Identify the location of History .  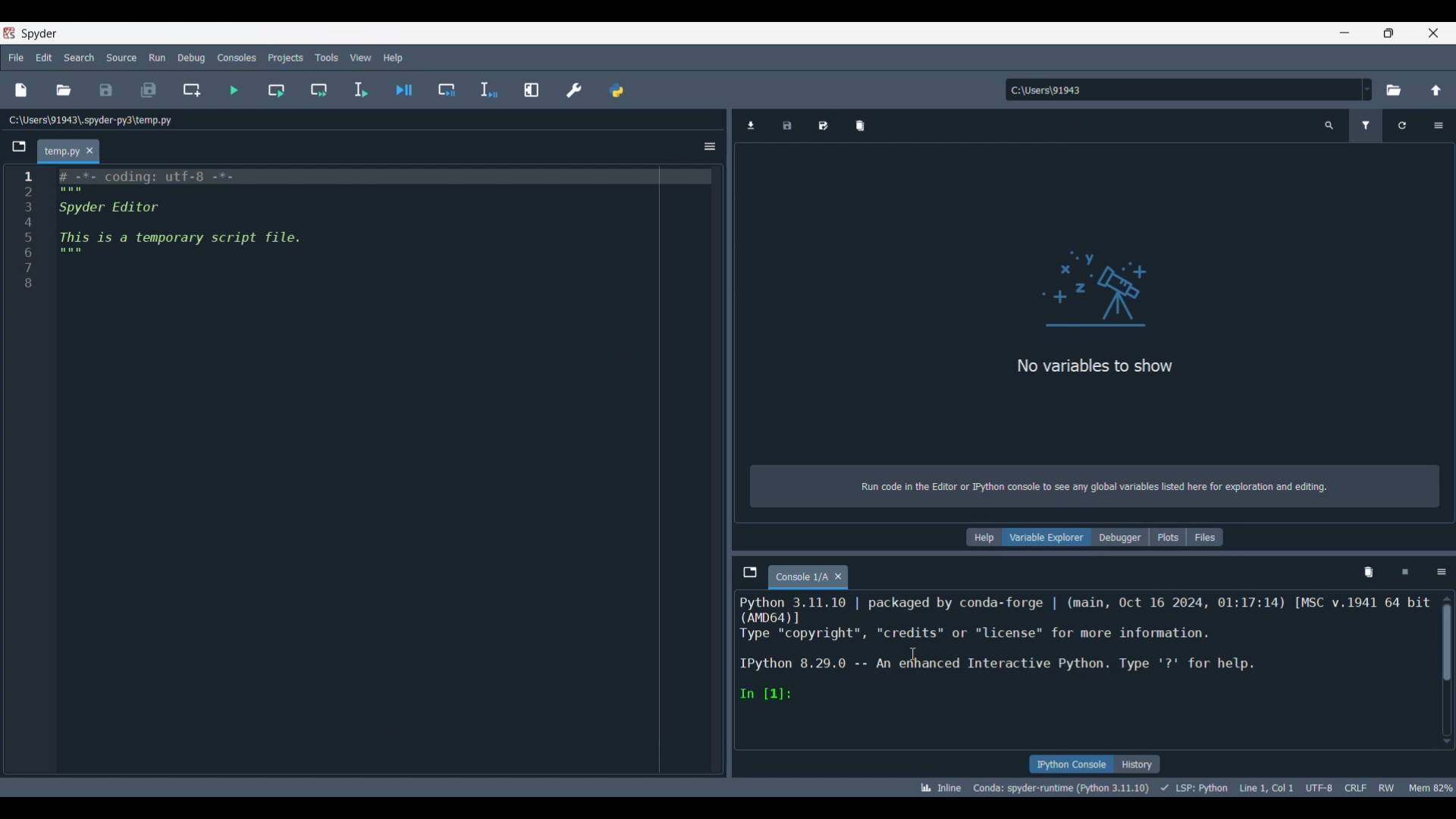
(1138, 764).